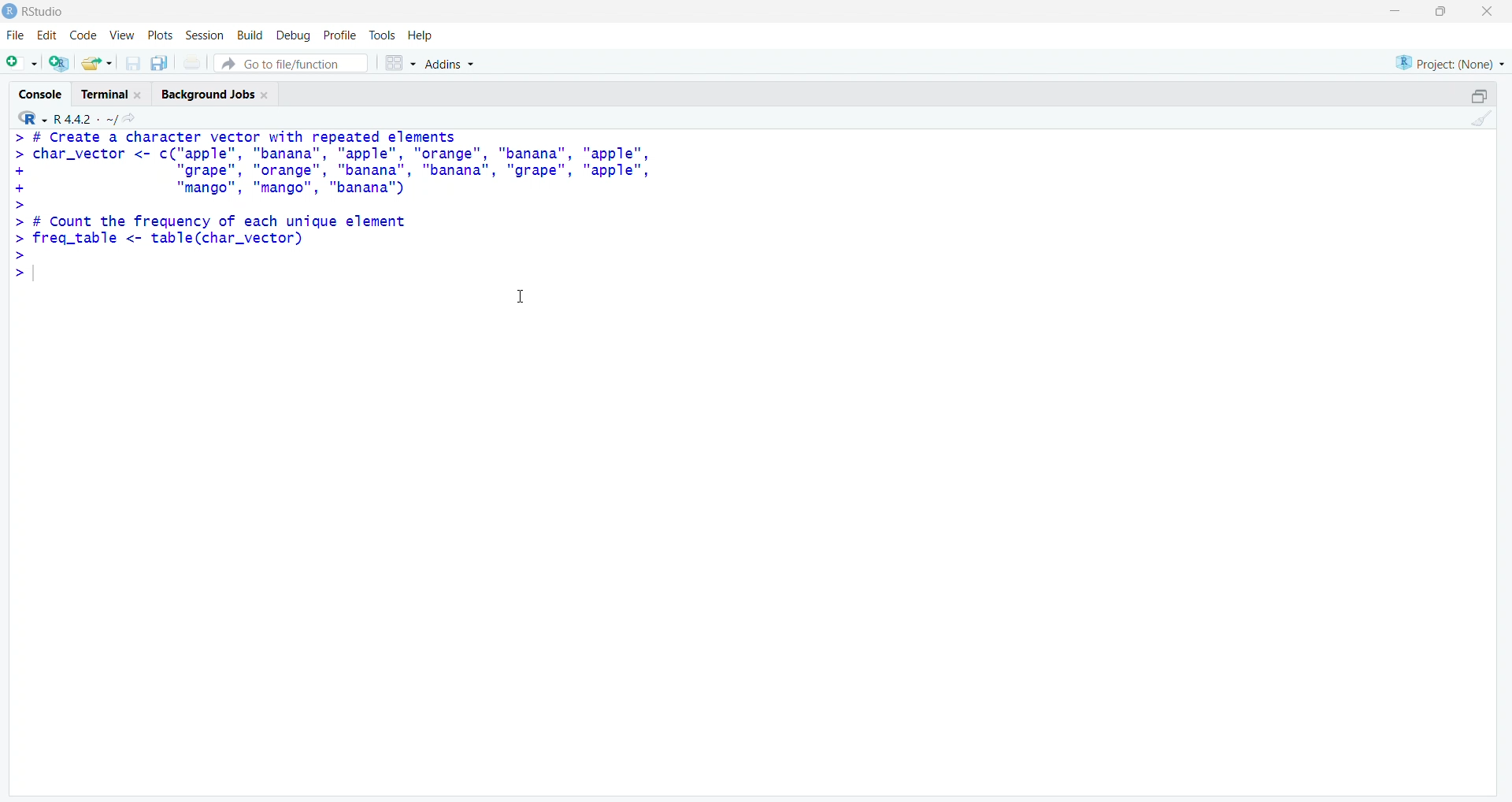 The width and height of the screenshot is (1512, 802). What do you see at coordinates (43, 92) in the screenshot?
I see `Console` at bounding box center [43, 92].